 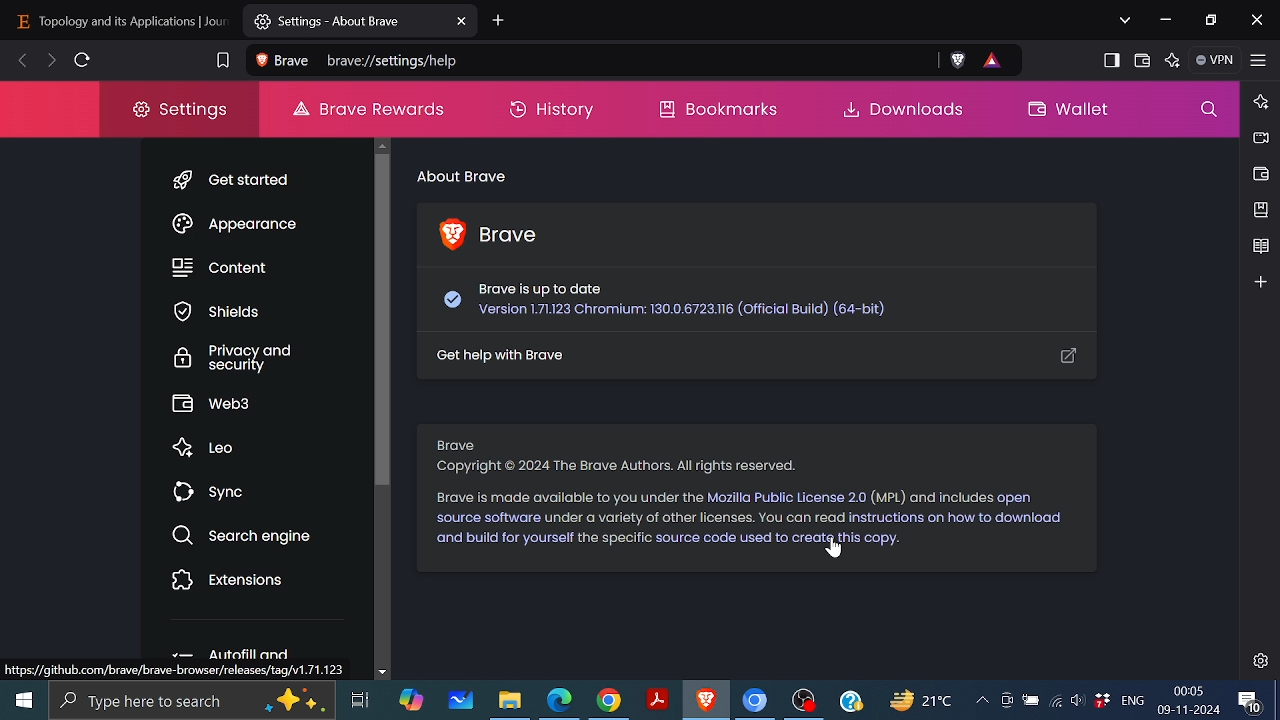 I want to click on Content, so click(x=224, y=266).